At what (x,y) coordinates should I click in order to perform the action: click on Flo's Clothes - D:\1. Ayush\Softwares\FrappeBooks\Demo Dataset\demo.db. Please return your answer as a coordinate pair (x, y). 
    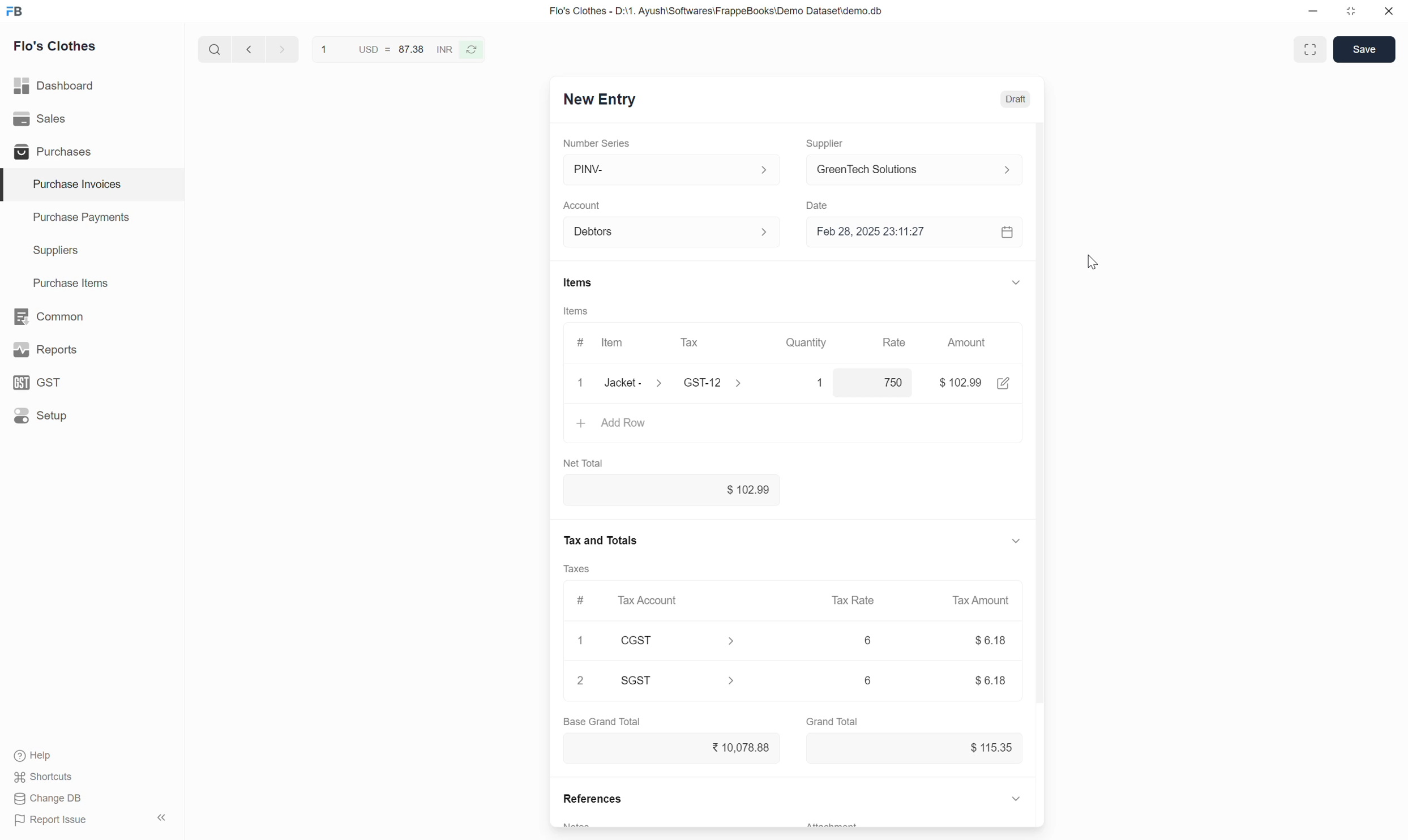
    Looking at the image, I should click on (717, 11).